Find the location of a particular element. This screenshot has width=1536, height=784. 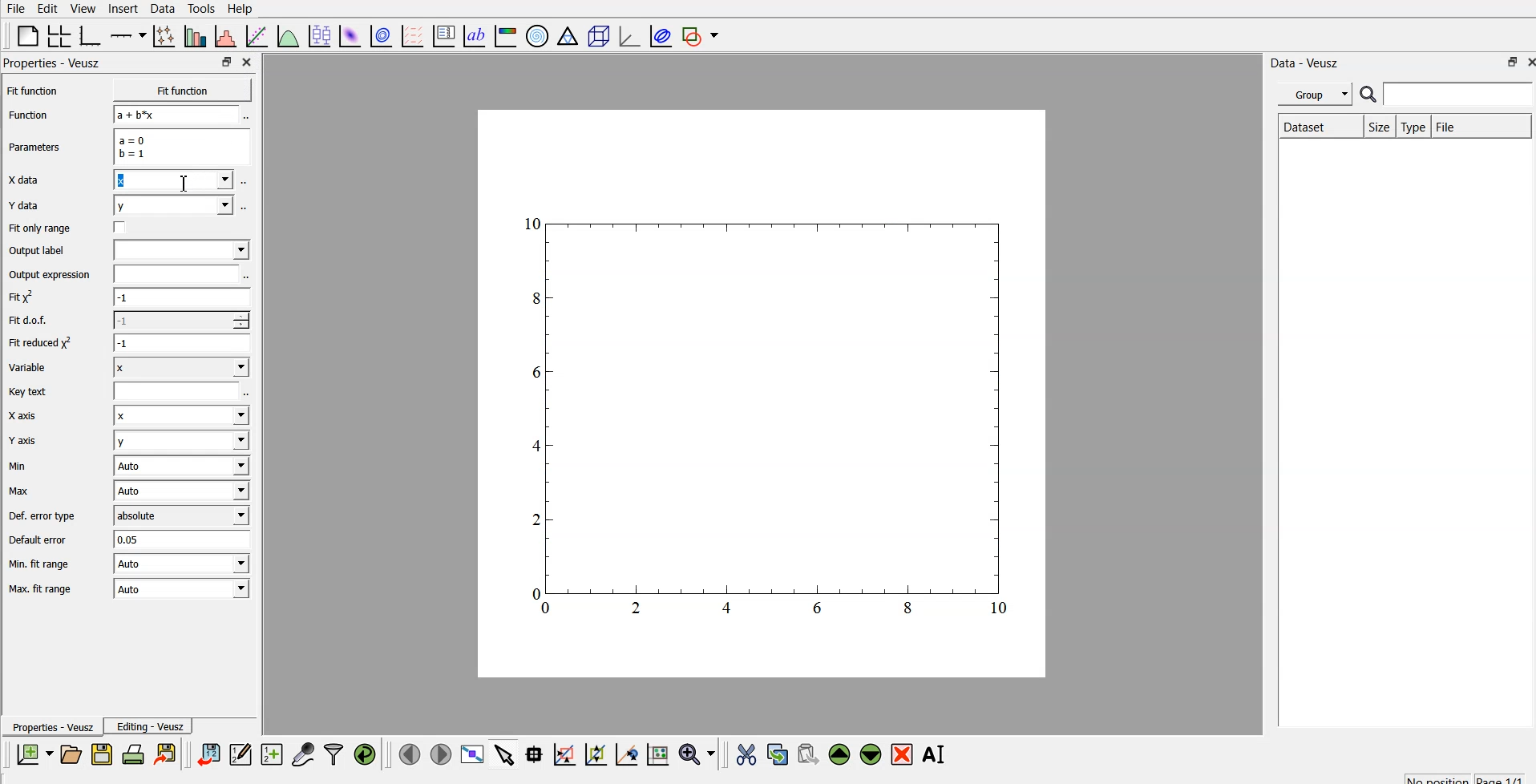

Fit function is located at coordinates (184, 92).